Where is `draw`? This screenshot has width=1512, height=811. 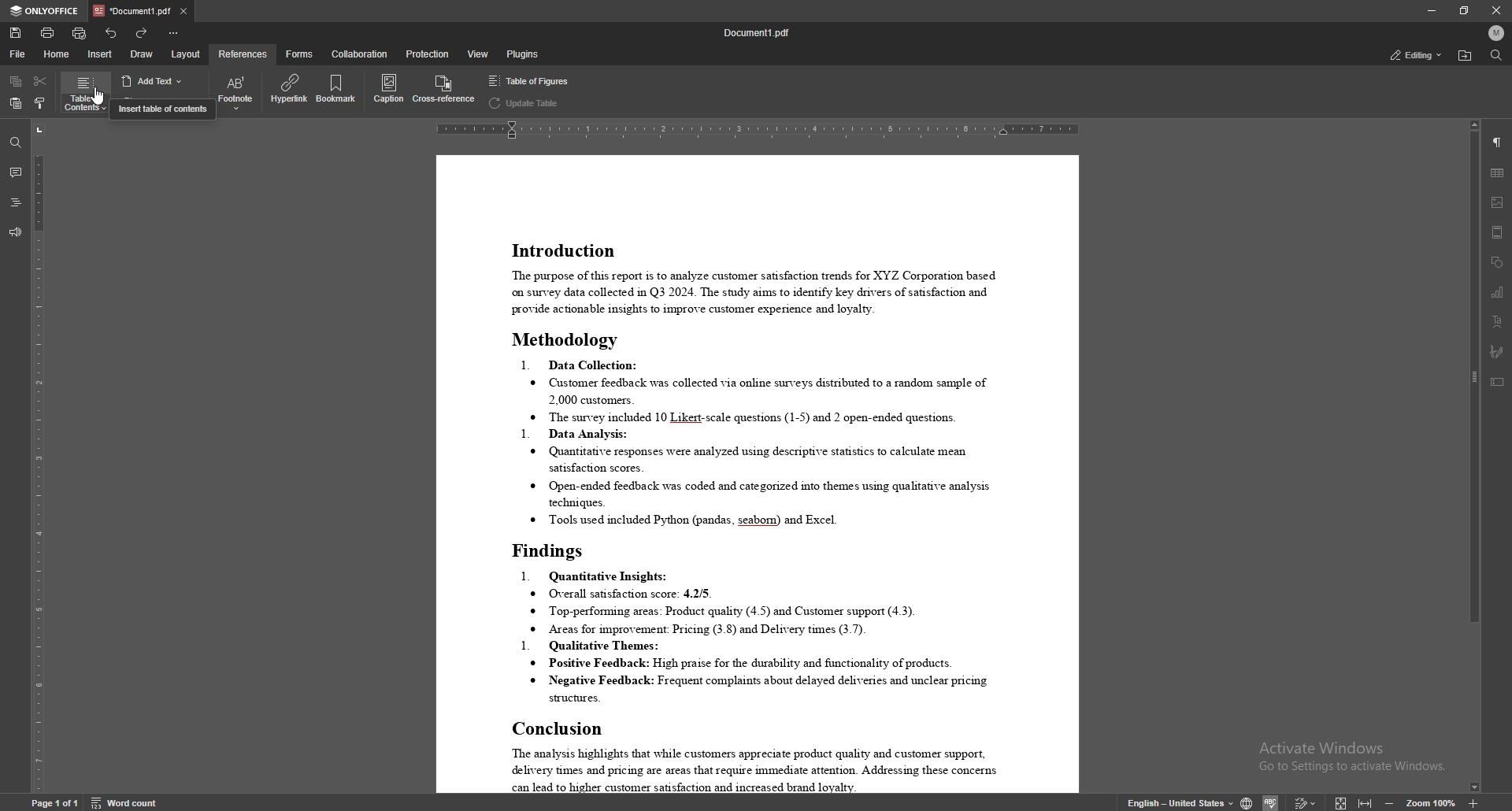
draw is located at coordinates (140, 54).